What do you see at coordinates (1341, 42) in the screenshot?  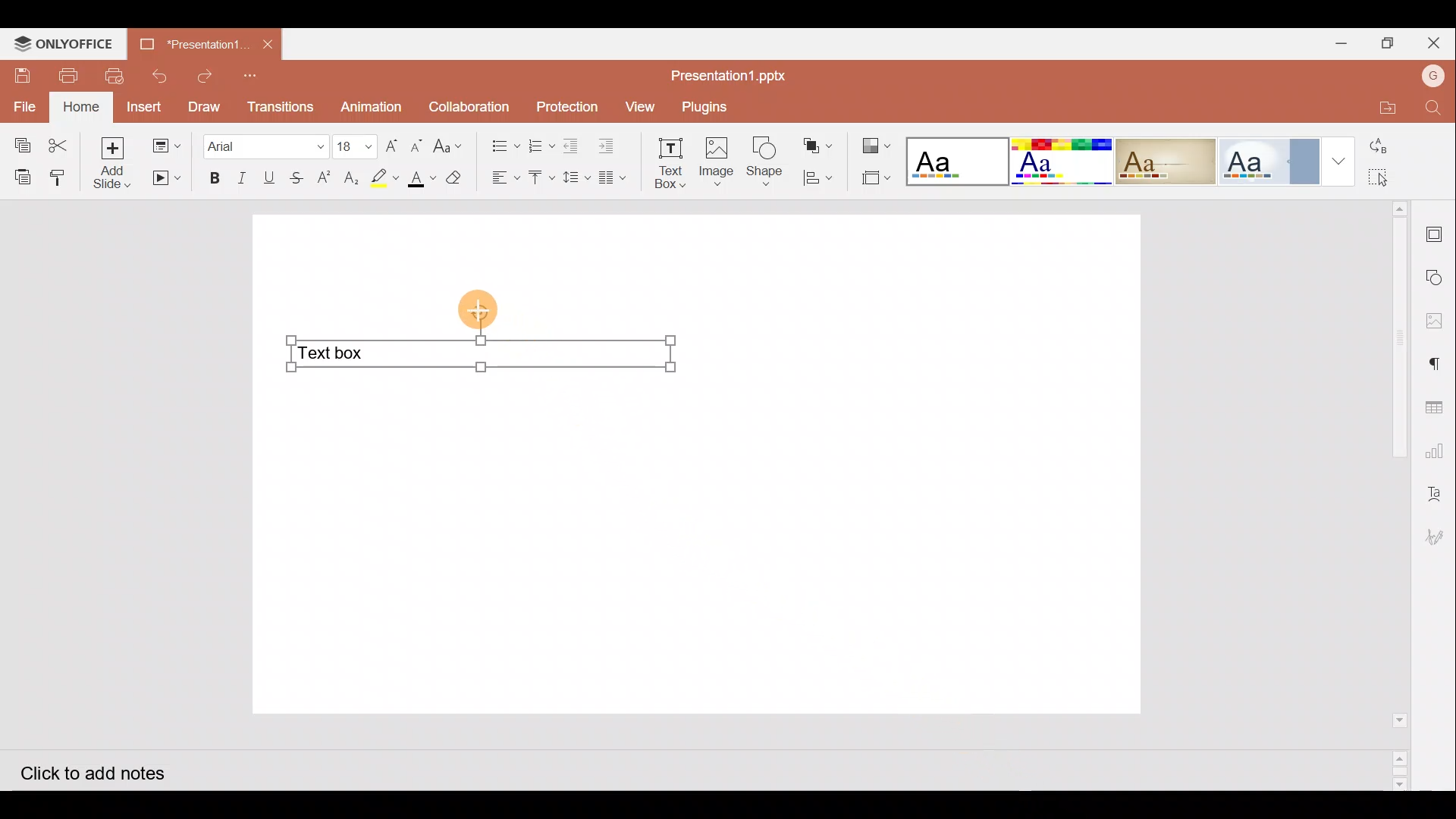 I see `Minimize` at bounding box center [1341, 42].